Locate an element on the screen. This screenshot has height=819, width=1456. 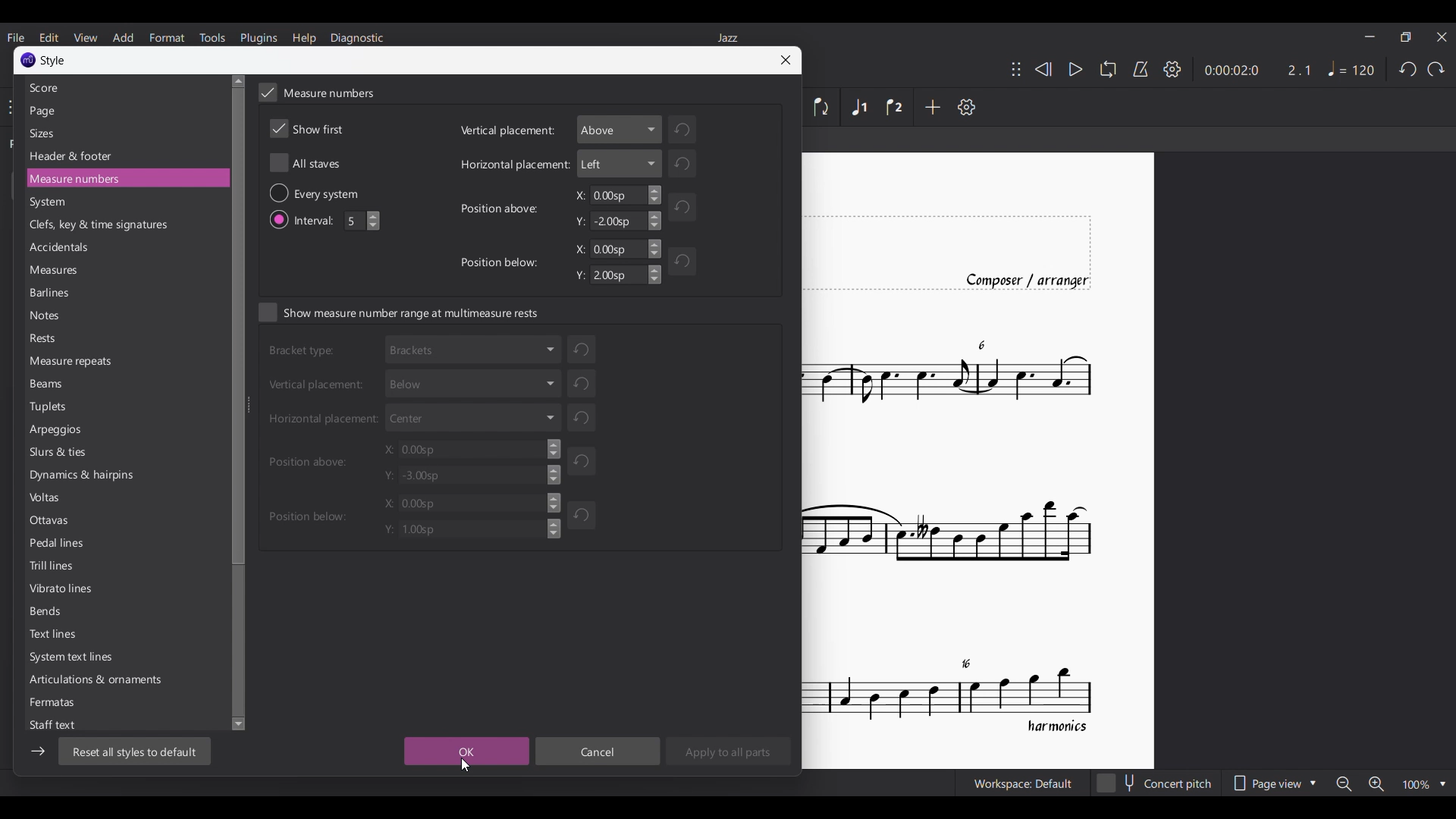
Plugins menu is located at coordinates (259, 38).